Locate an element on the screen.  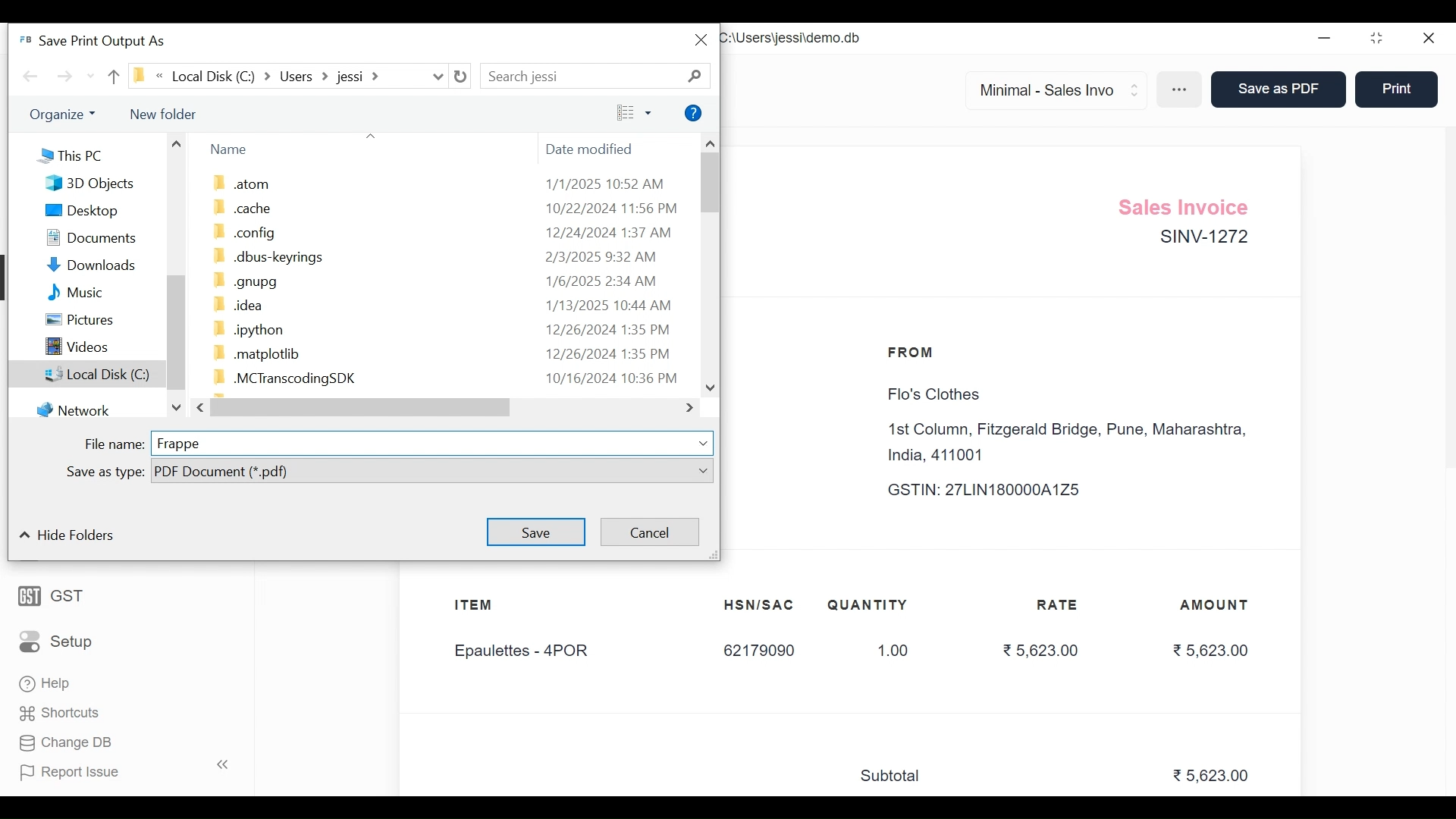
atom is located at coordinates (241, 185).